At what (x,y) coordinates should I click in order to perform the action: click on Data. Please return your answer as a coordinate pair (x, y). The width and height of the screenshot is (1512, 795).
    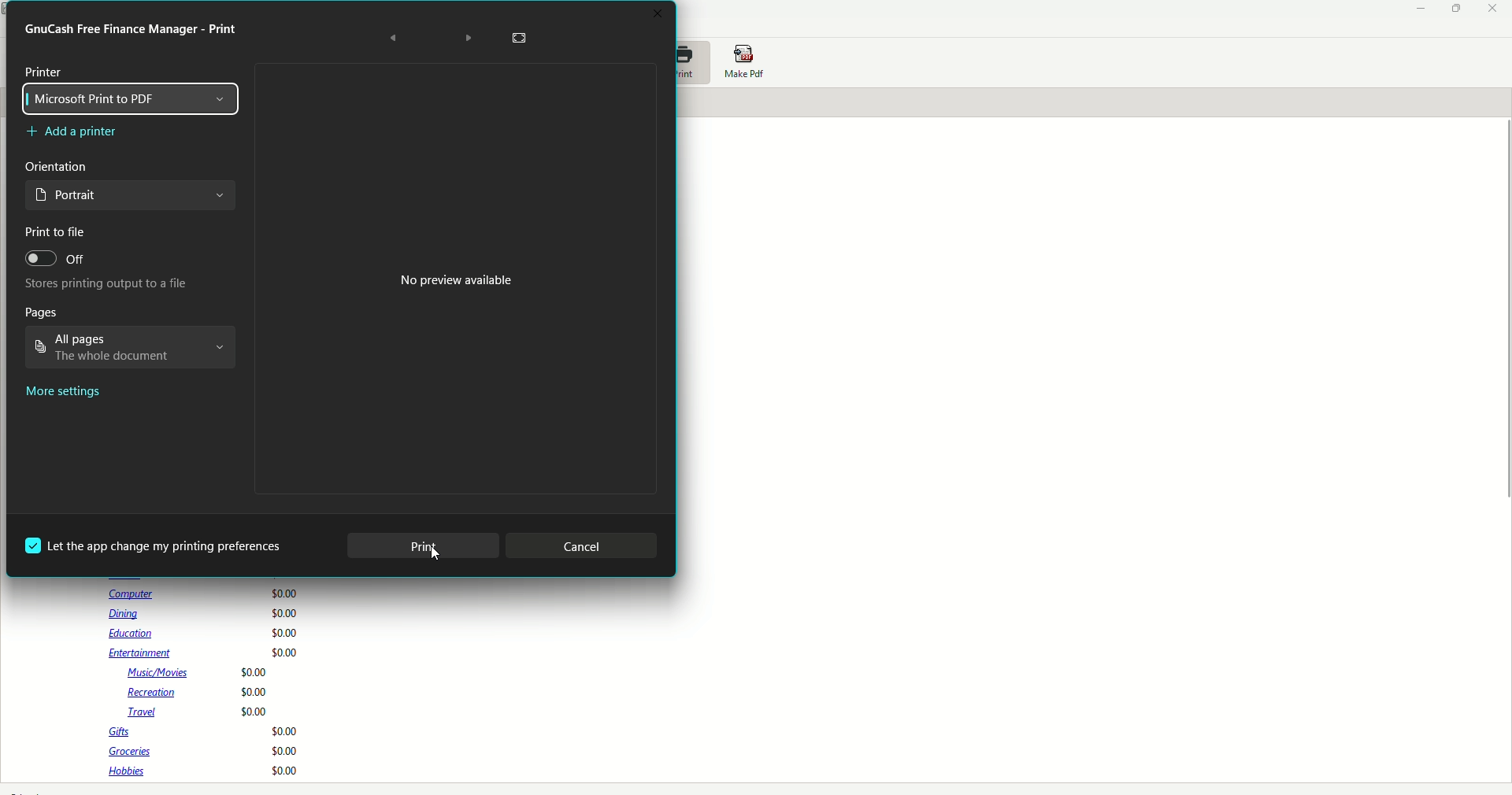
    Looking at the image, I should click on (207, 682).